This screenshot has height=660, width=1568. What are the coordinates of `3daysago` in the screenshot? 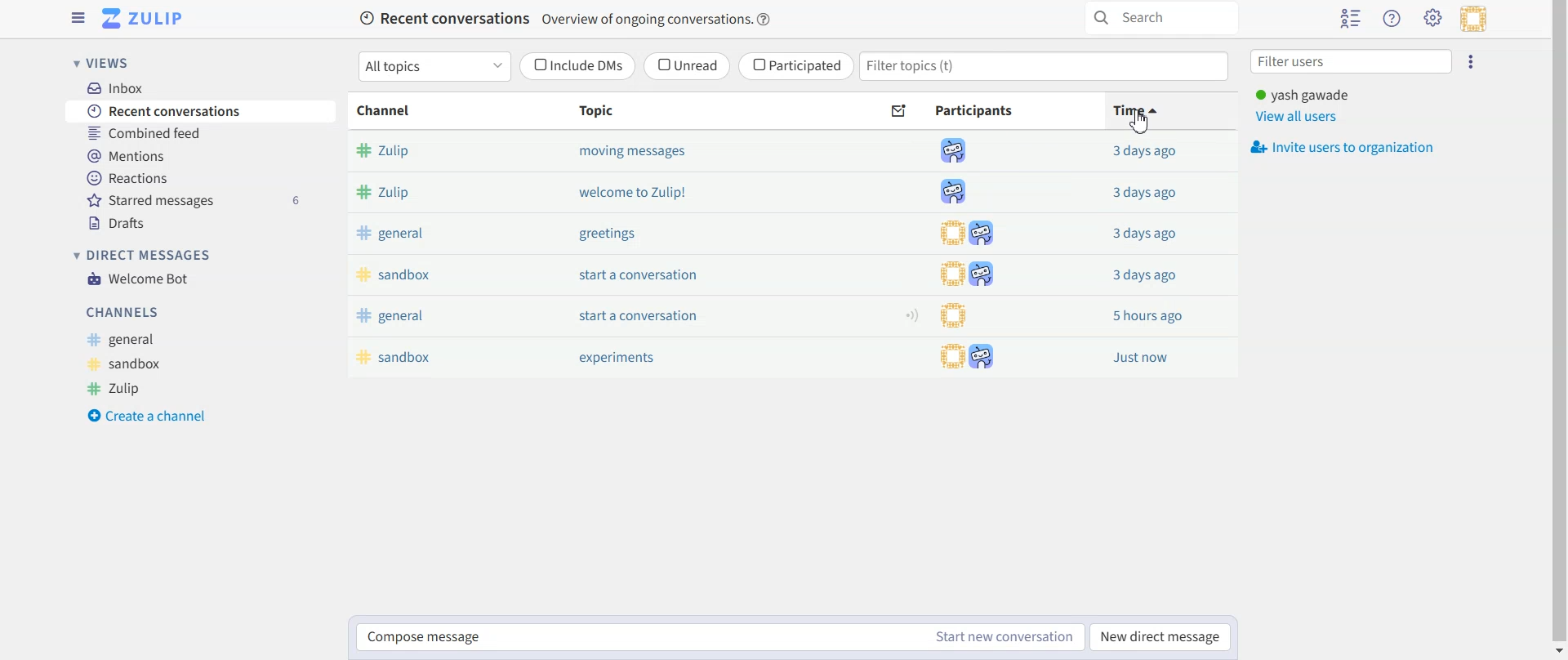 It's located at (1147, 194).